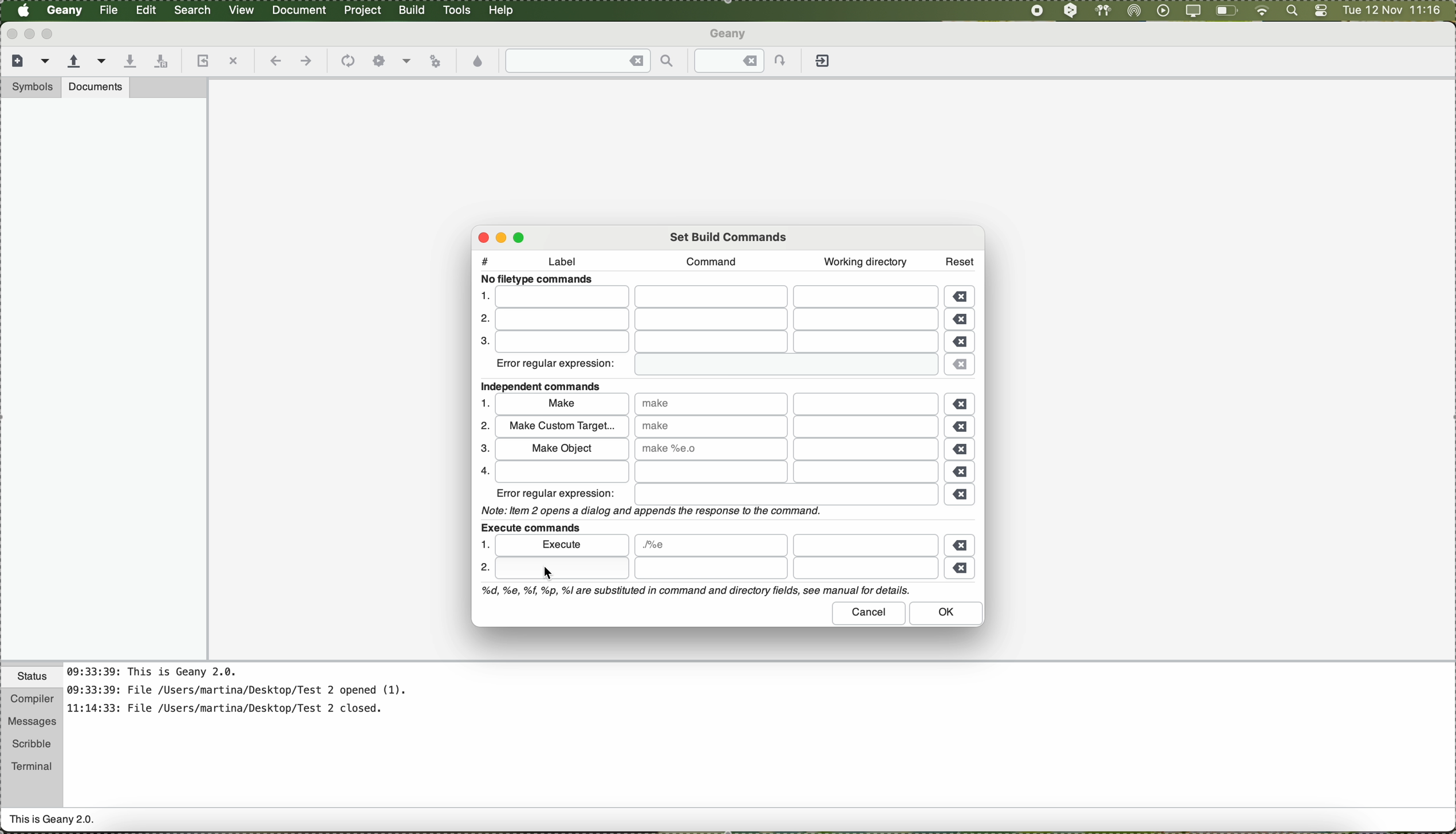 The width and height of the screenshot is (1456, 834). What do you see at coordinates (1071, 11) in the screenshot?
I see `DeepL` at bounding box center [1071, 11].